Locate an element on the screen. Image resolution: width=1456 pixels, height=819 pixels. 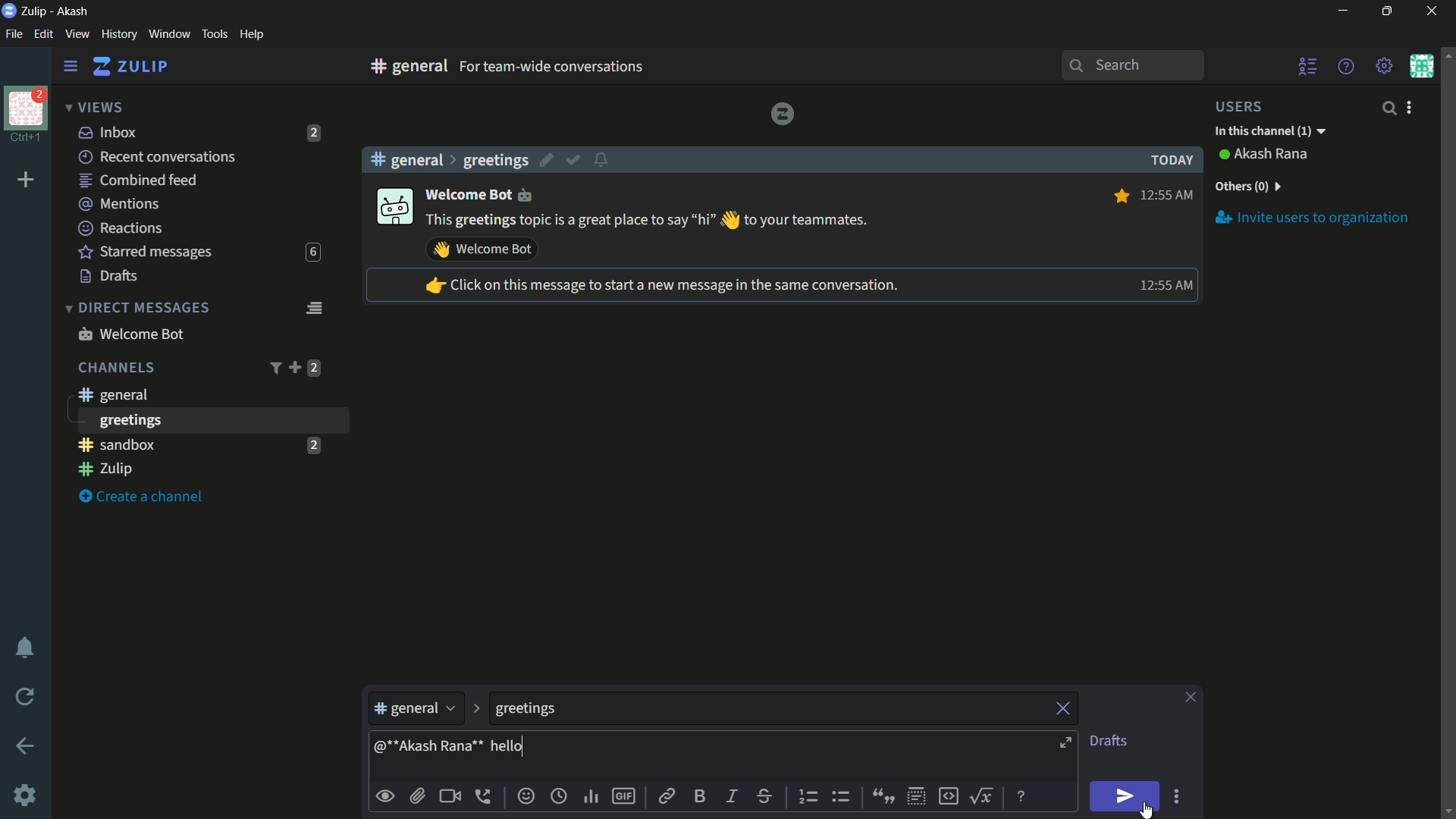
view menu is located at coordinates (77, 33).